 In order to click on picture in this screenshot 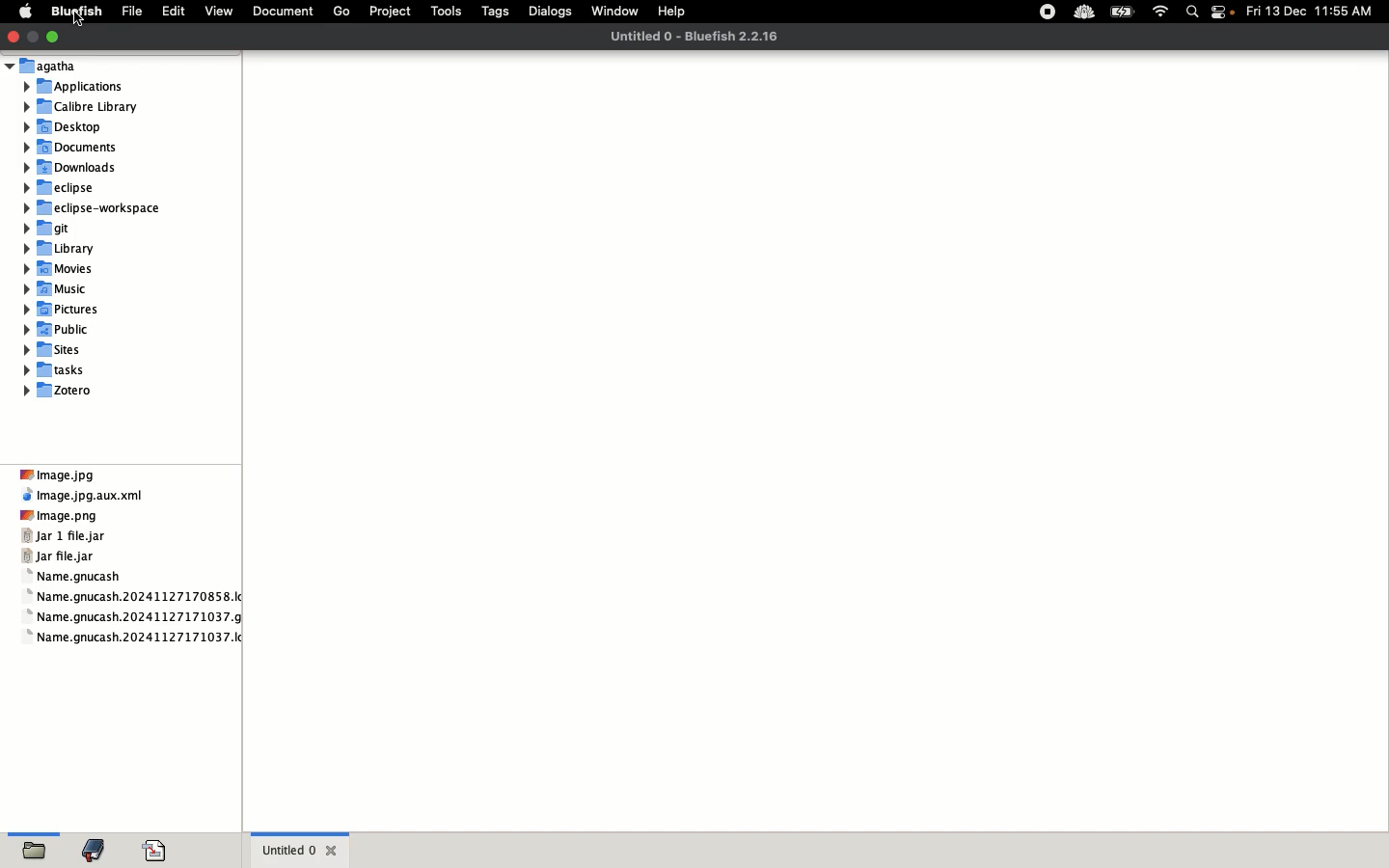, I will do `click(61, 309)`.